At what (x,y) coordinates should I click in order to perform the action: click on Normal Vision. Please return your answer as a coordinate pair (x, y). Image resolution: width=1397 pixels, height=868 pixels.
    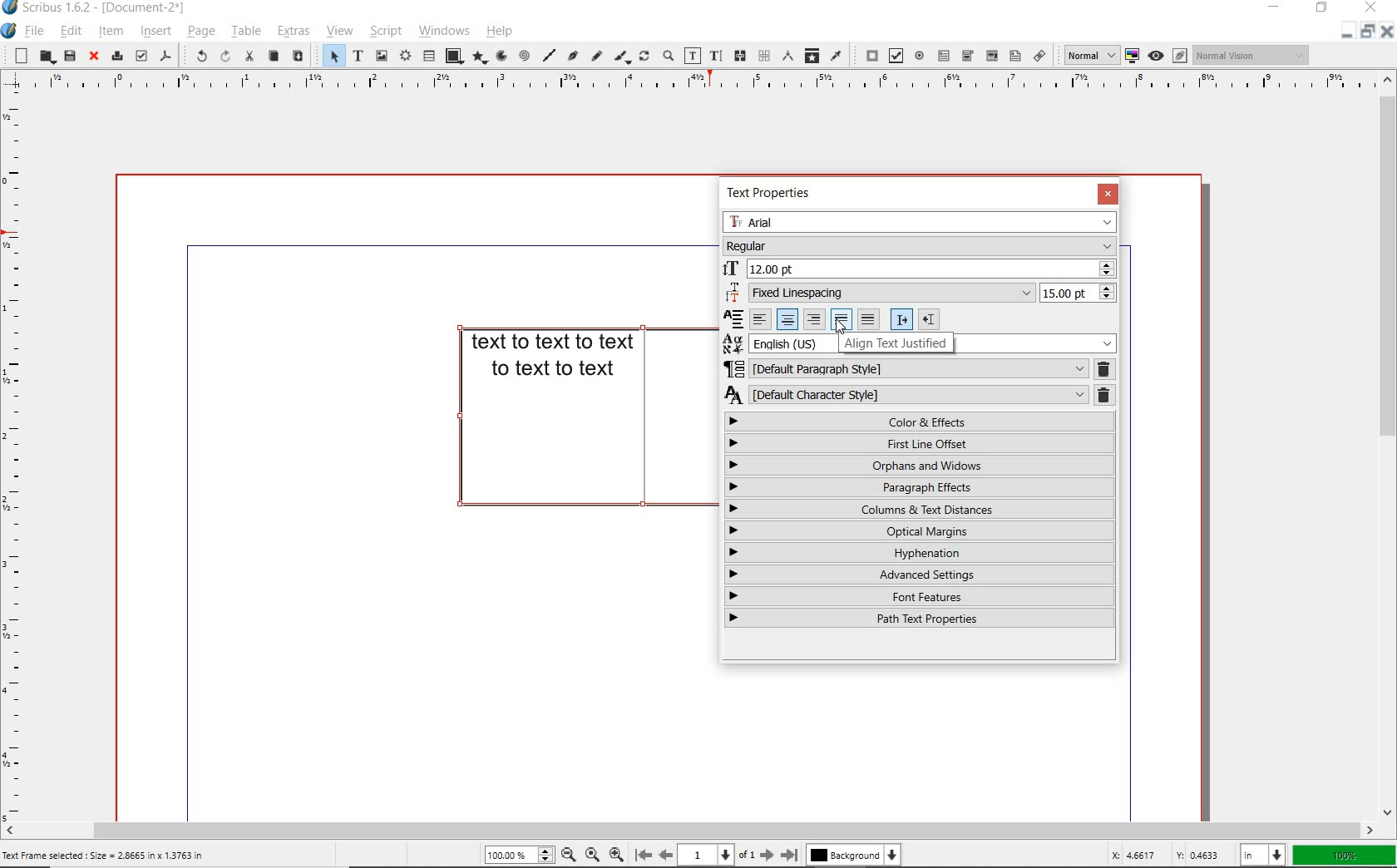
    Looking at the image, I should click on (1250, 56).